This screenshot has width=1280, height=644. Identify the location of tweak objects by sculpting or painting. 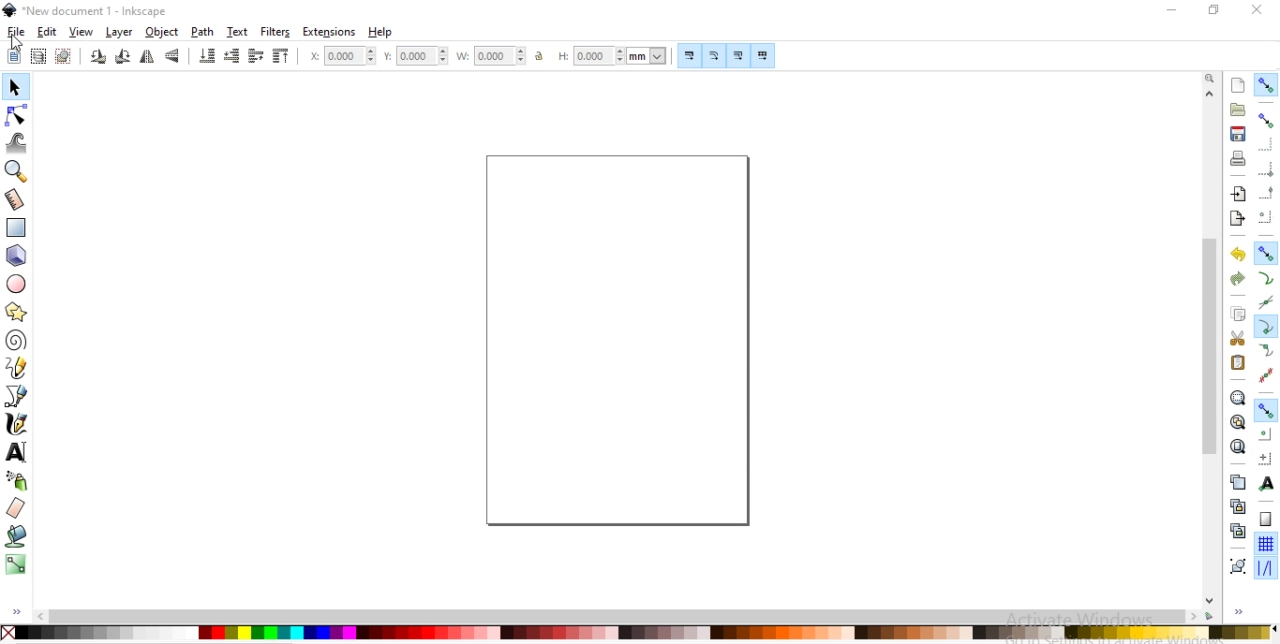
(18, 142).